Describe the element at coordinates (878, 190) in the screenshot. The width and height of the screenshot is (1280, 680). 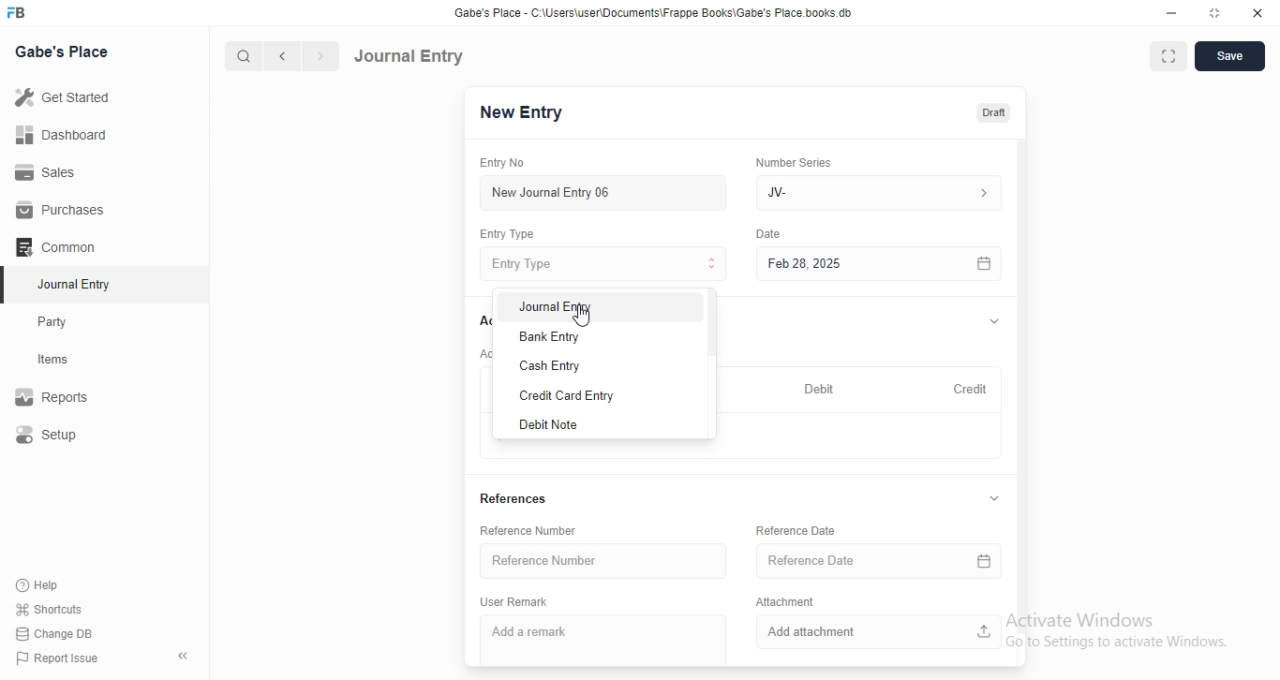
I see `JV-` at that location.